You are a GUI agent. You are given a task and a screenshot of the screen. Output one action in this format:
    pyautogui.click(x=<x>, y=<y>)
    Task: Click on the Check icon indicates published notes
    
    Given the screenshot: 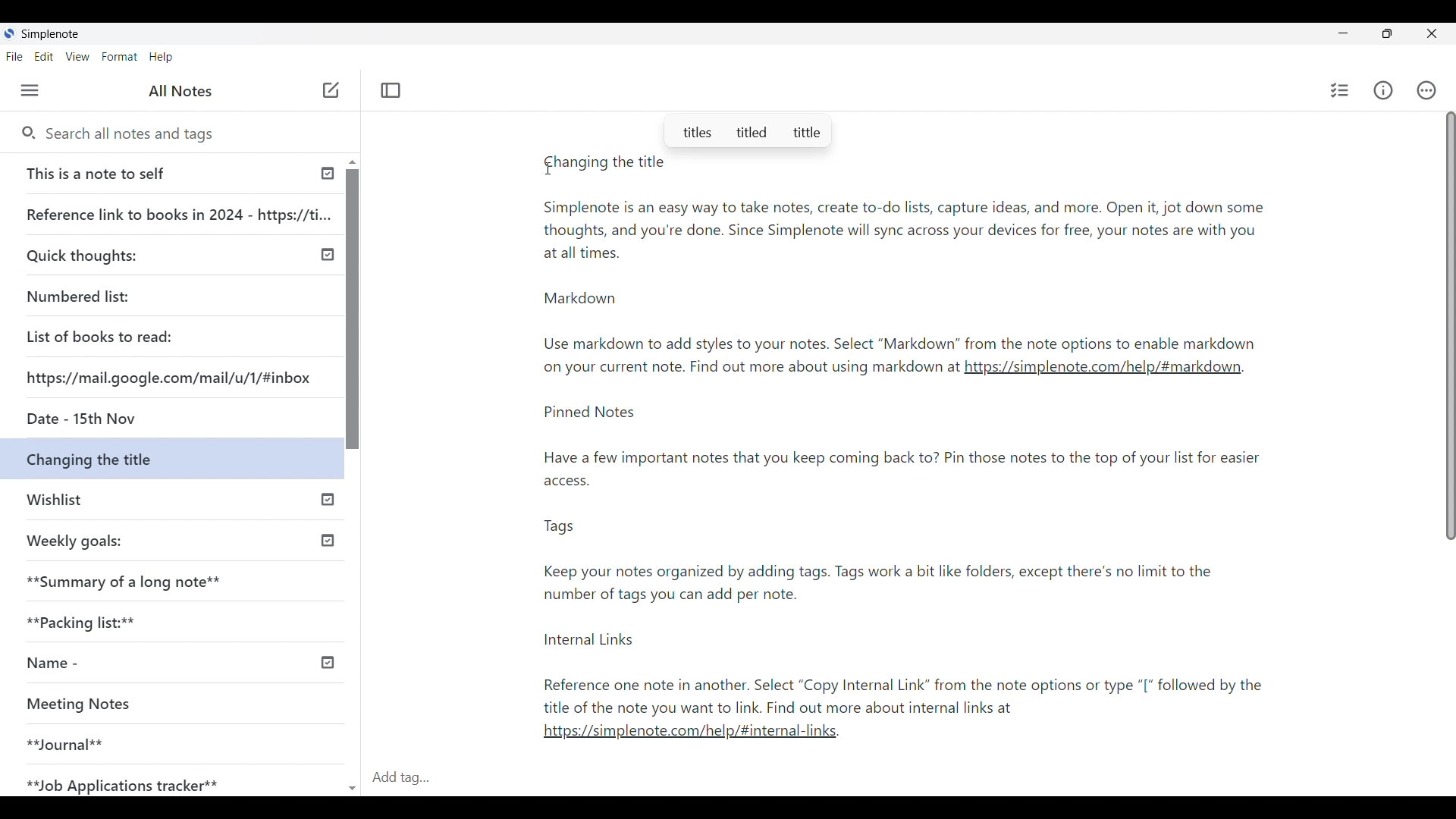 What is the action you would take?
    pyautogui.click(x=331, y=661)
    